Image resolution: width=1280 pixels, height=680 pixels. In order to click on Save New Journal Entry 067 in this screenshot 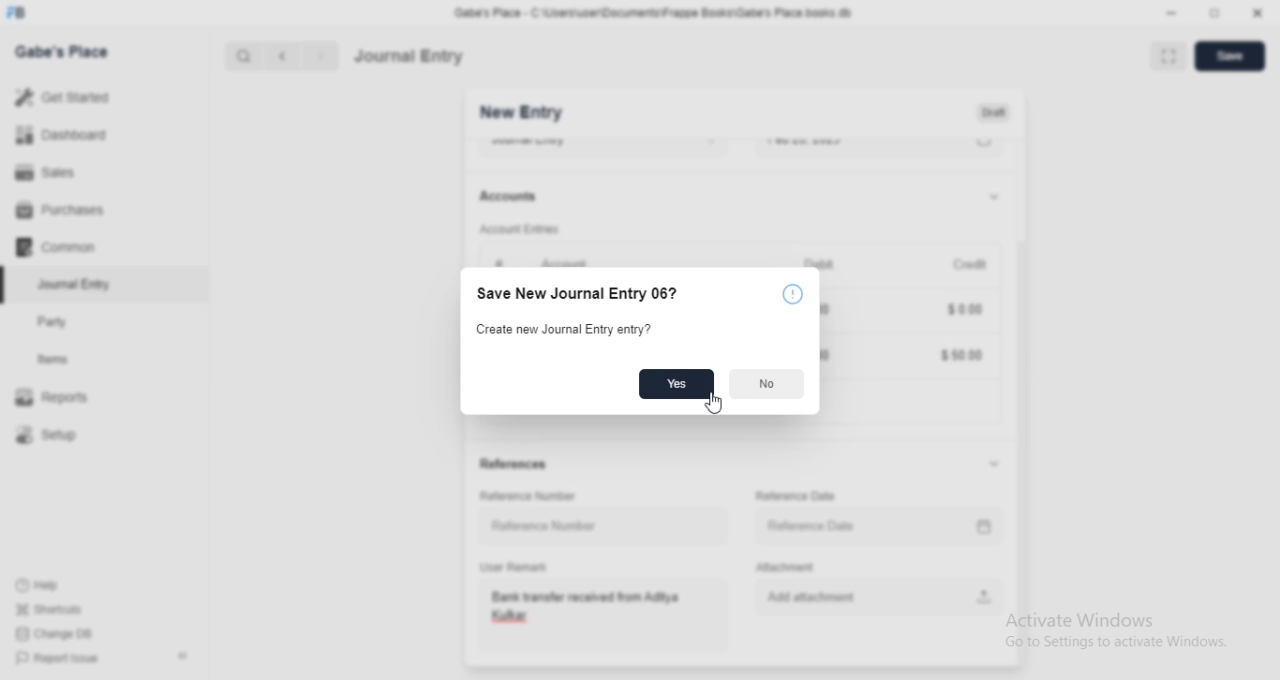, I will do `click(575, 293)`.